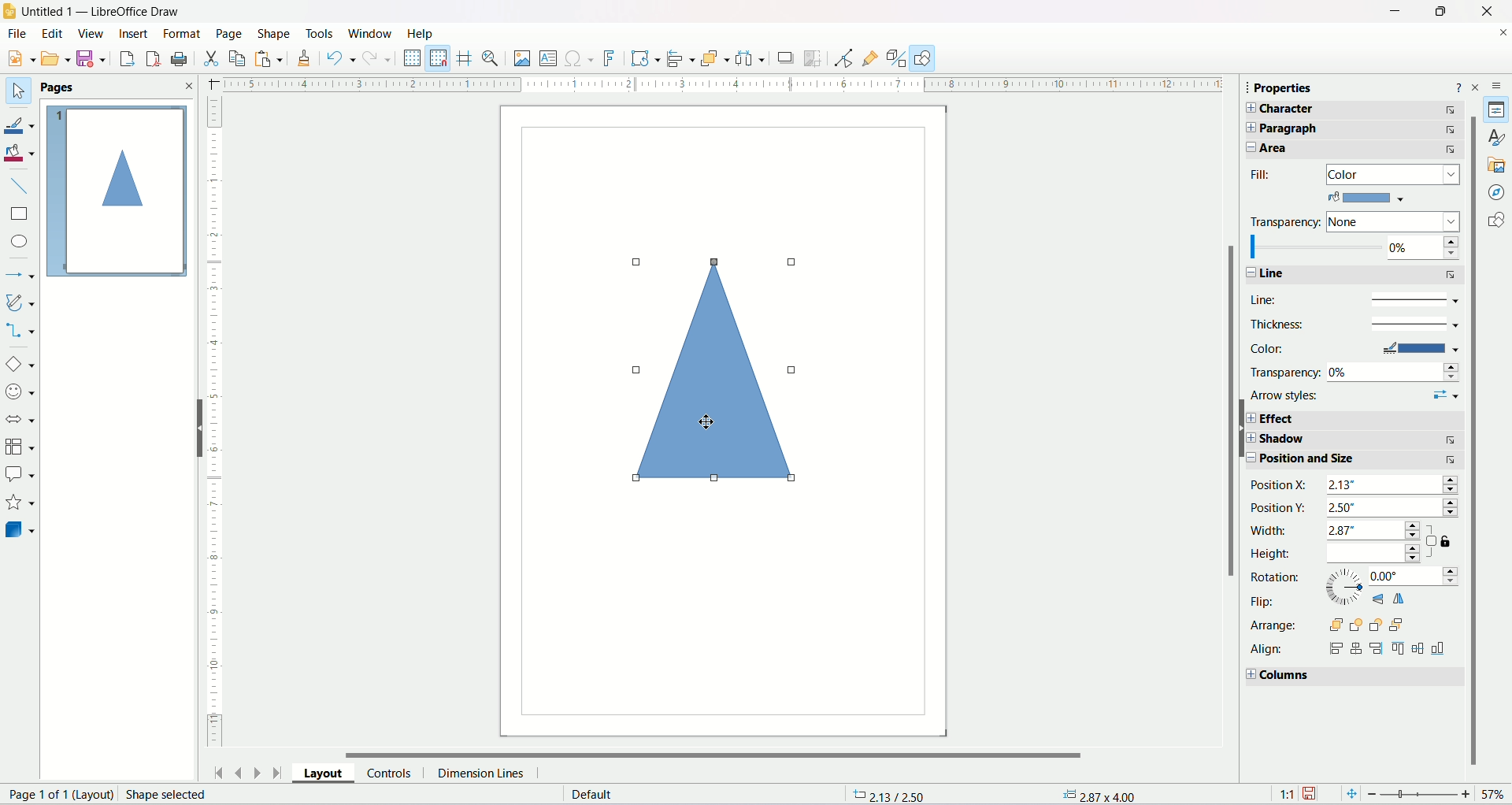 This screenshot has height=805, width=1512. What do you see at coordinates (20, 529) in the screenshot?
I see `3D Objects` at bounding box center [20, 529].